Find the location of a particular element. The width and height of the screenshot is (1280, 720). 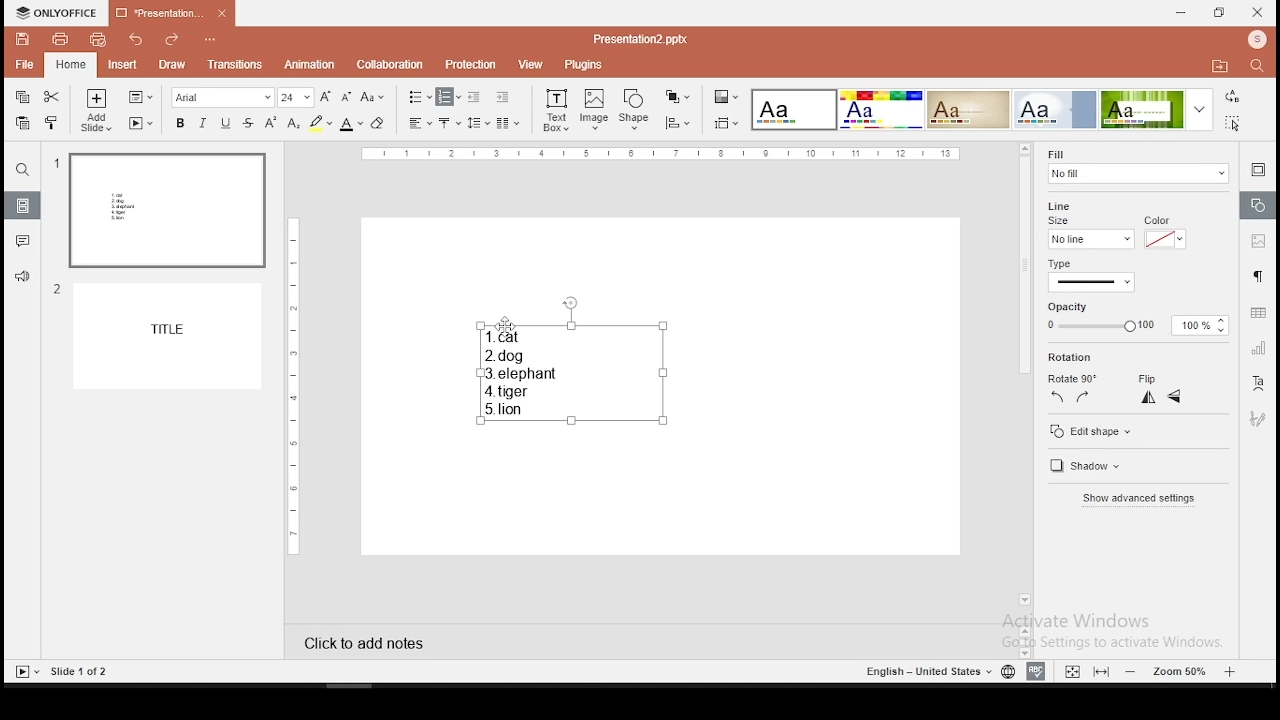

redo is located at coordinates (173, 42).